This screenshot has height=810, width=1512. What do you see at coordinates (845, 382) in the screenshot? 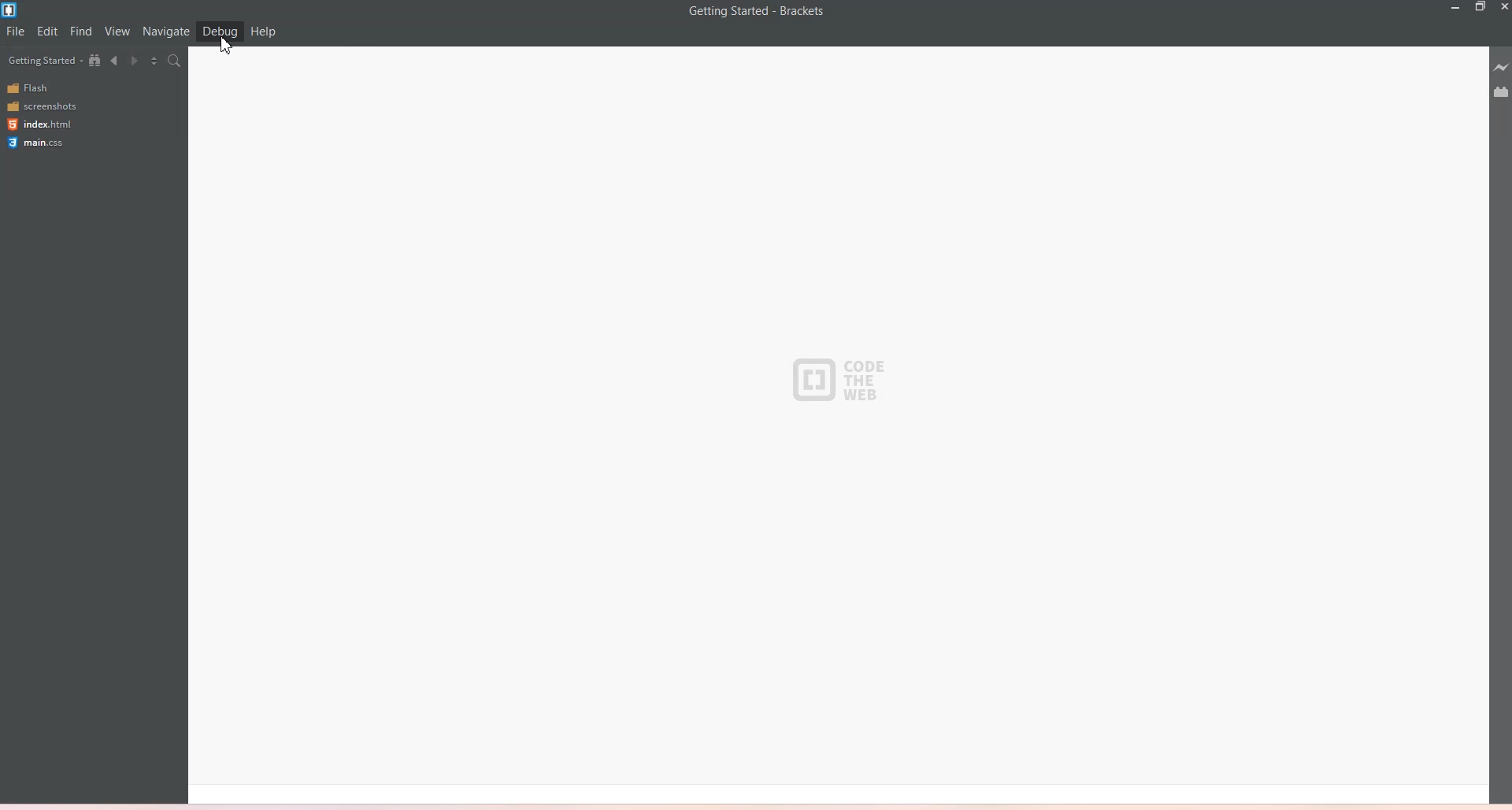
I see `Code The  Web` at bounding box center [845, 382].